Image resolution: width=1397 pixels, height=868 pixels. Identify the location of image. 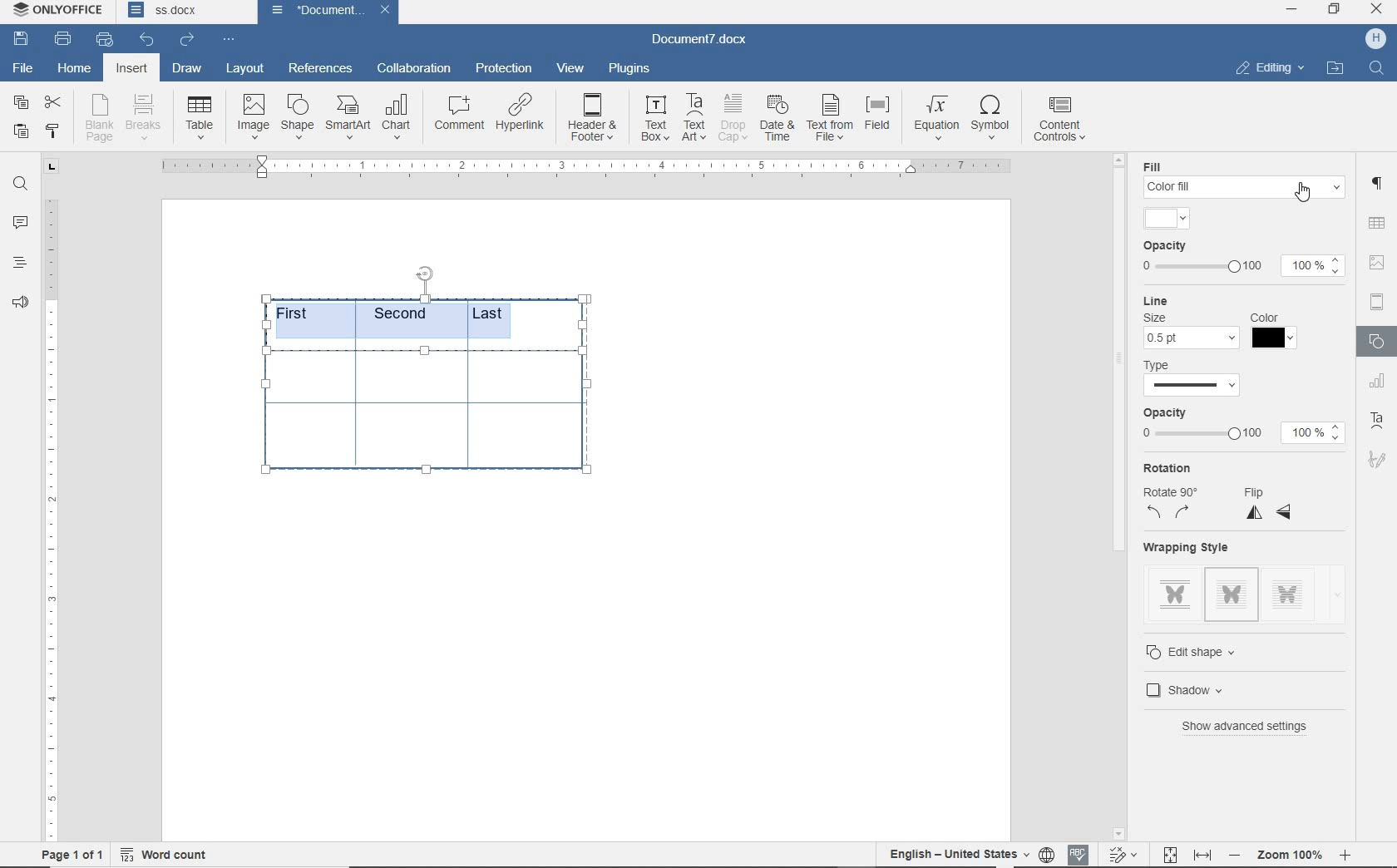
(254, 117).